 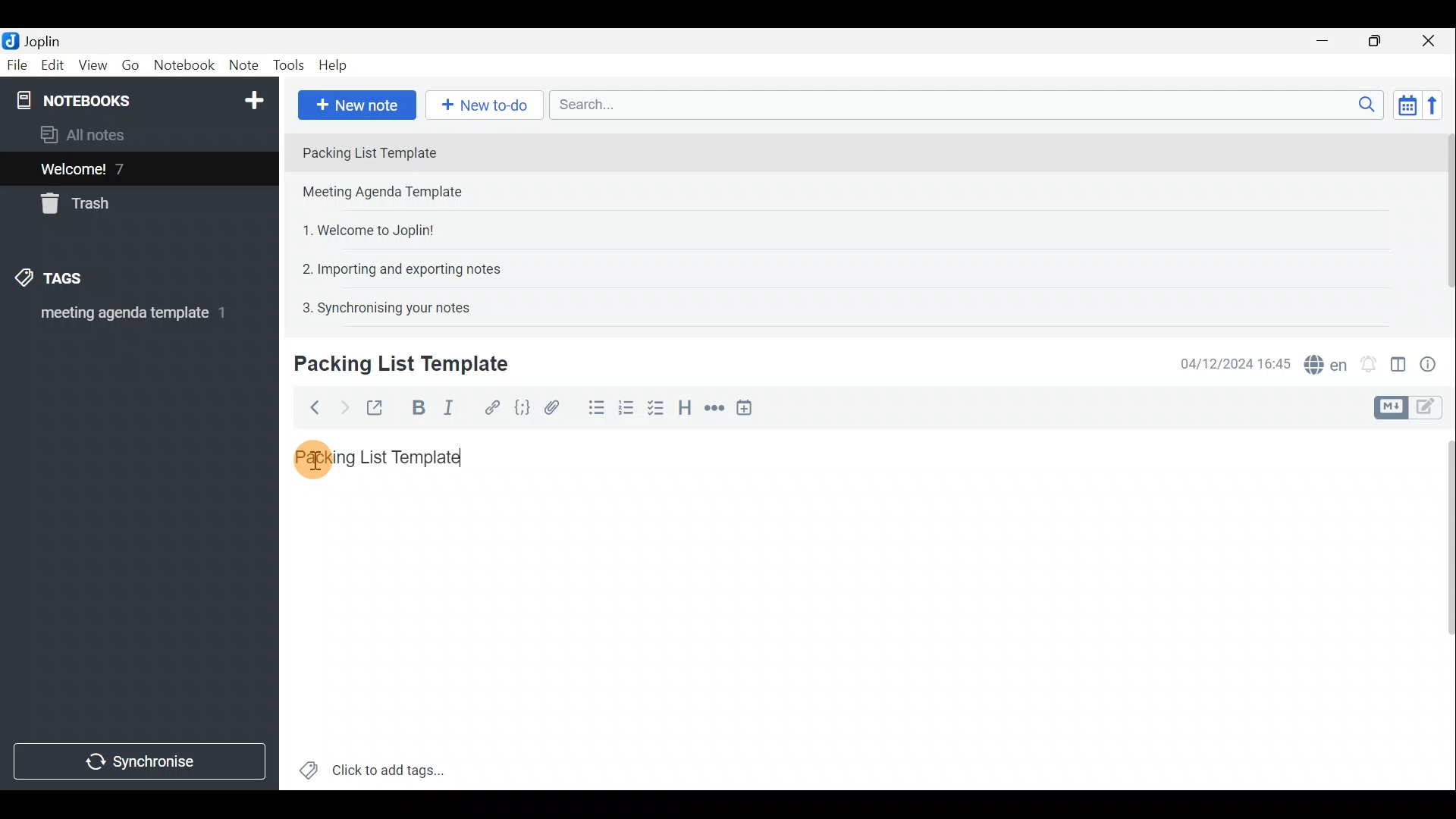 What do you see at coordinates (318, 457) in the screenshot?
I see `cursor` at bounding box center [318, 457].